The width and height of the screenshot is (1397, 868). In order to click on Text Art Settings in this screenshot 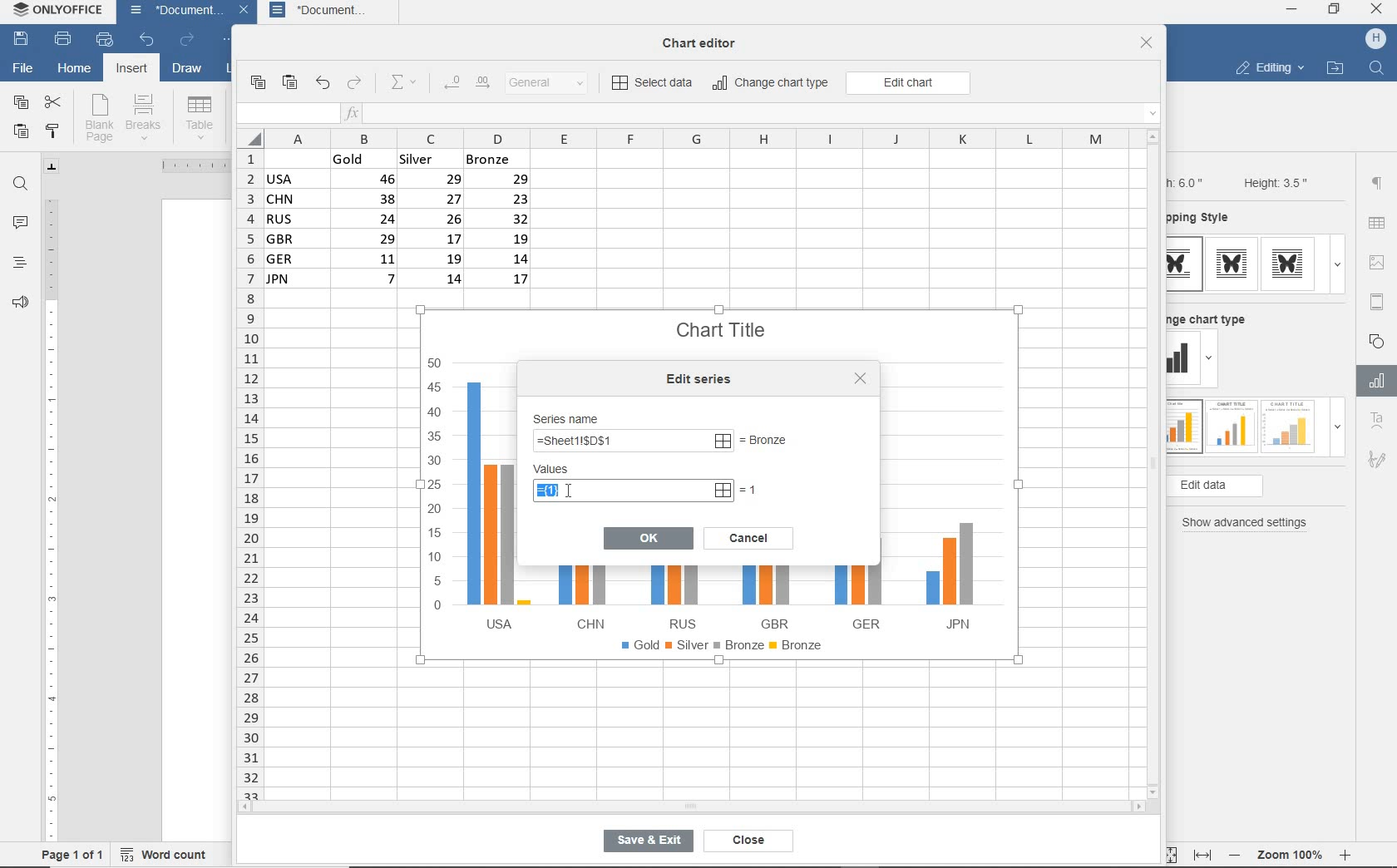, I will do `click(1375, 422)`.